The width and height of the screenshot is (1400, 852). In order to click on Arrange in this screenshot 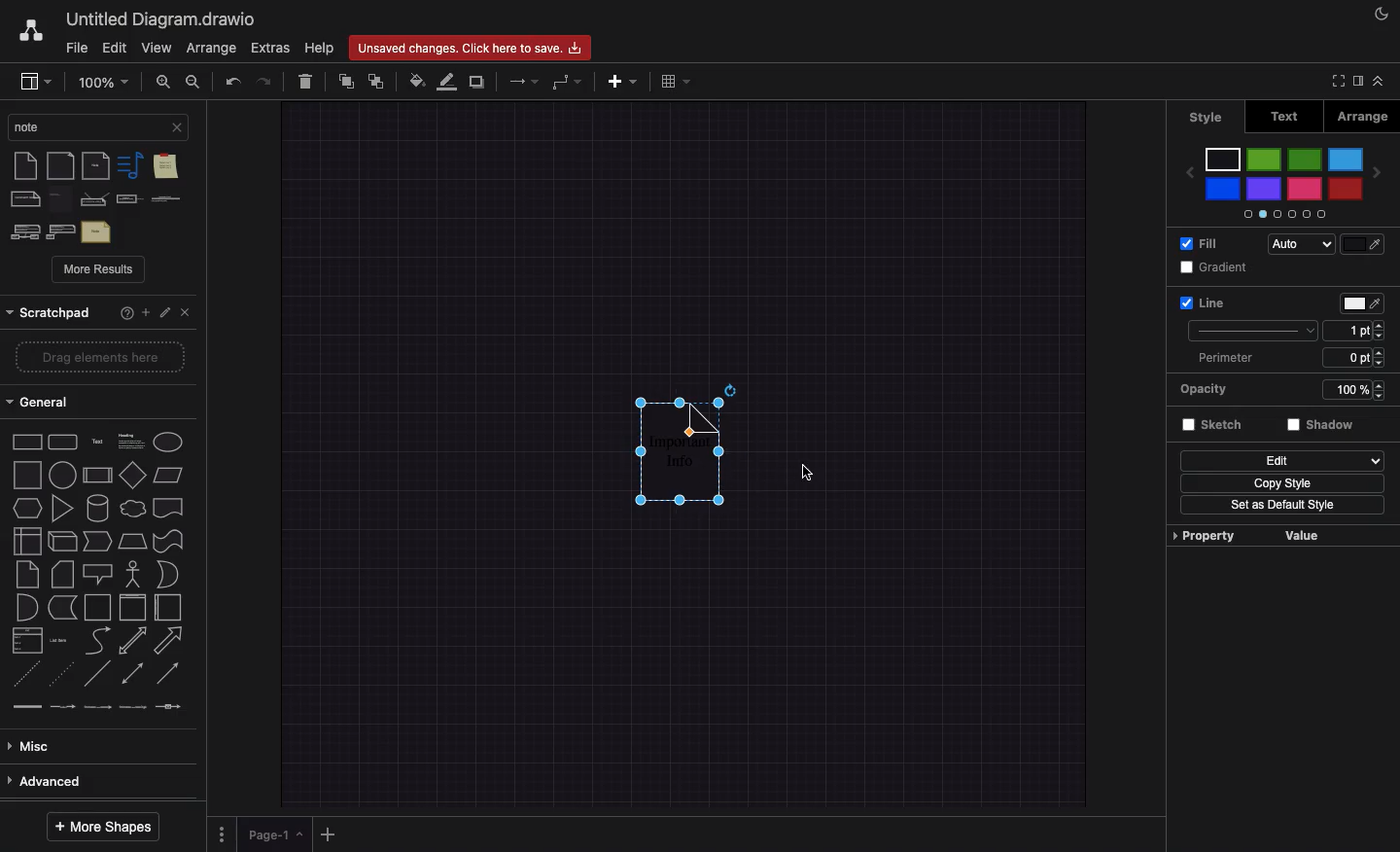, I will do `click(1362, 116)`.